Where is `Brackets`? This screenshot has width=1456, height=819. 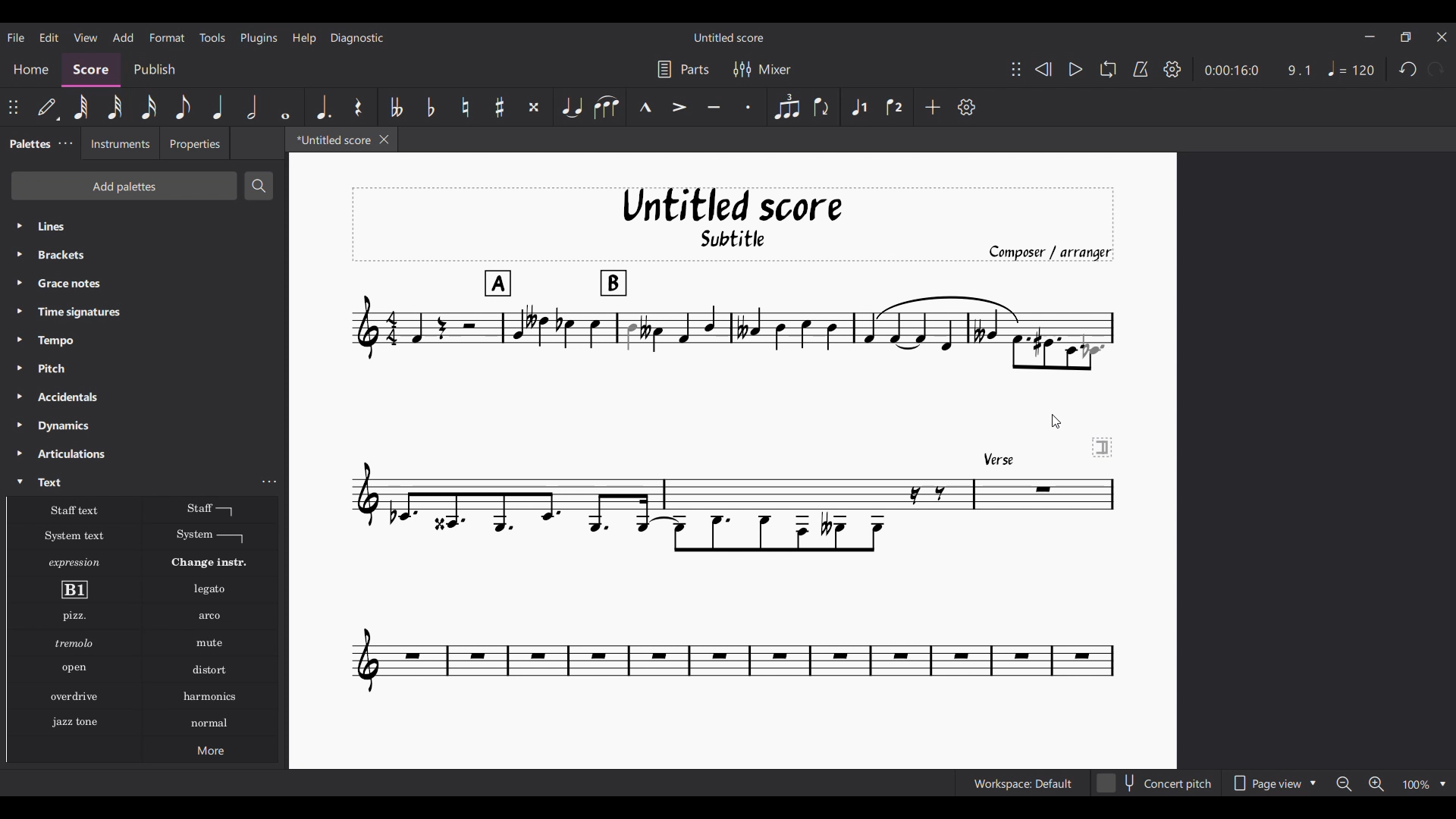
Brackets is located at coordinates (143, 255).